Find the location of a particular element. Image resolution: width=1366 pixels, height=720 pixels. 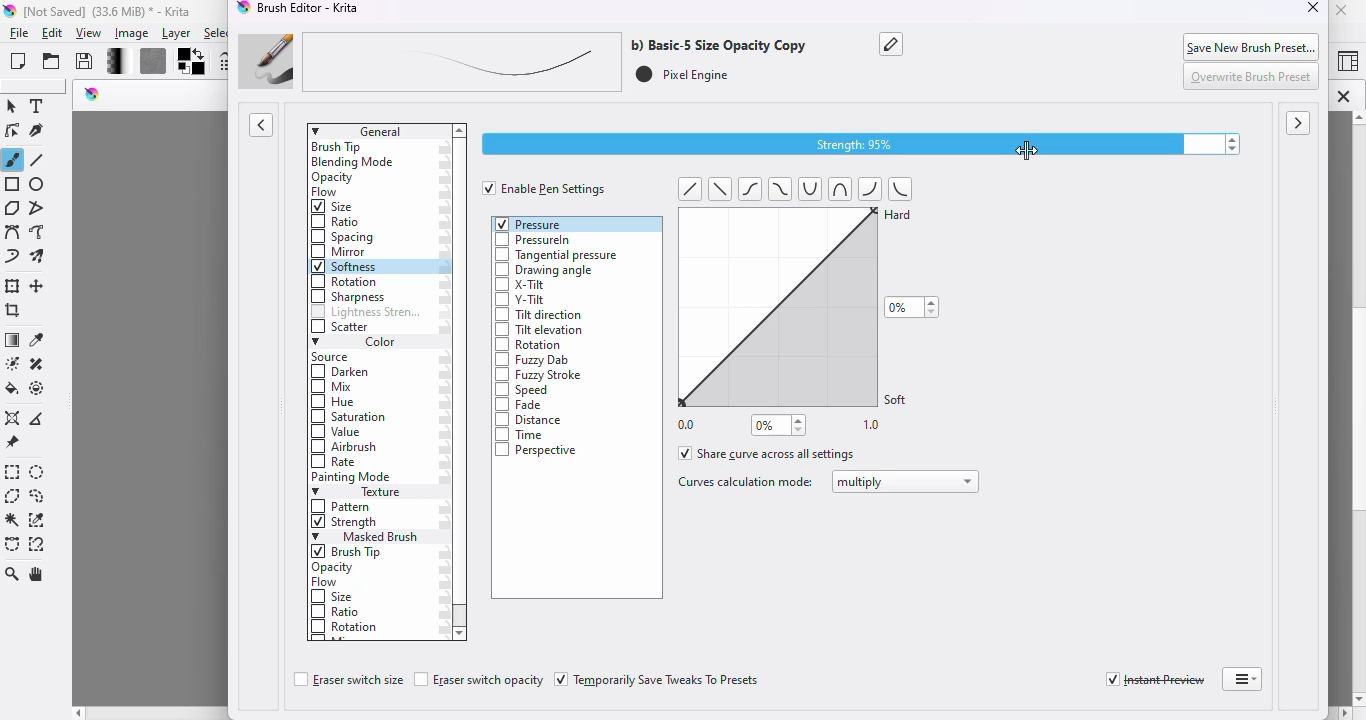

choose workspace is located at coordinates (1347, 63).